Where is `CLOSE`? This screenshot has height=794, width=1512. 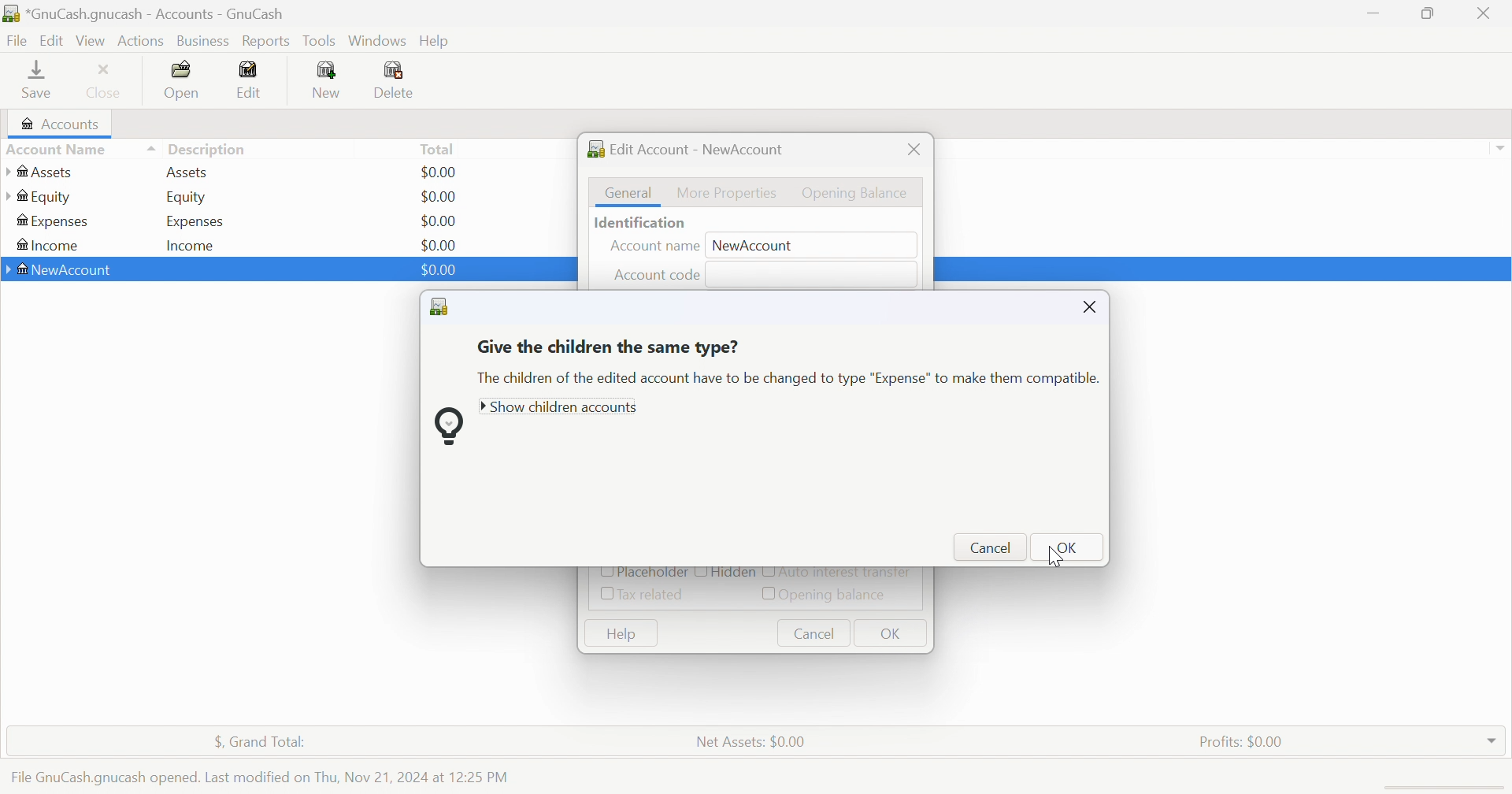
CLOSE is located at coordinates (1091, 306).